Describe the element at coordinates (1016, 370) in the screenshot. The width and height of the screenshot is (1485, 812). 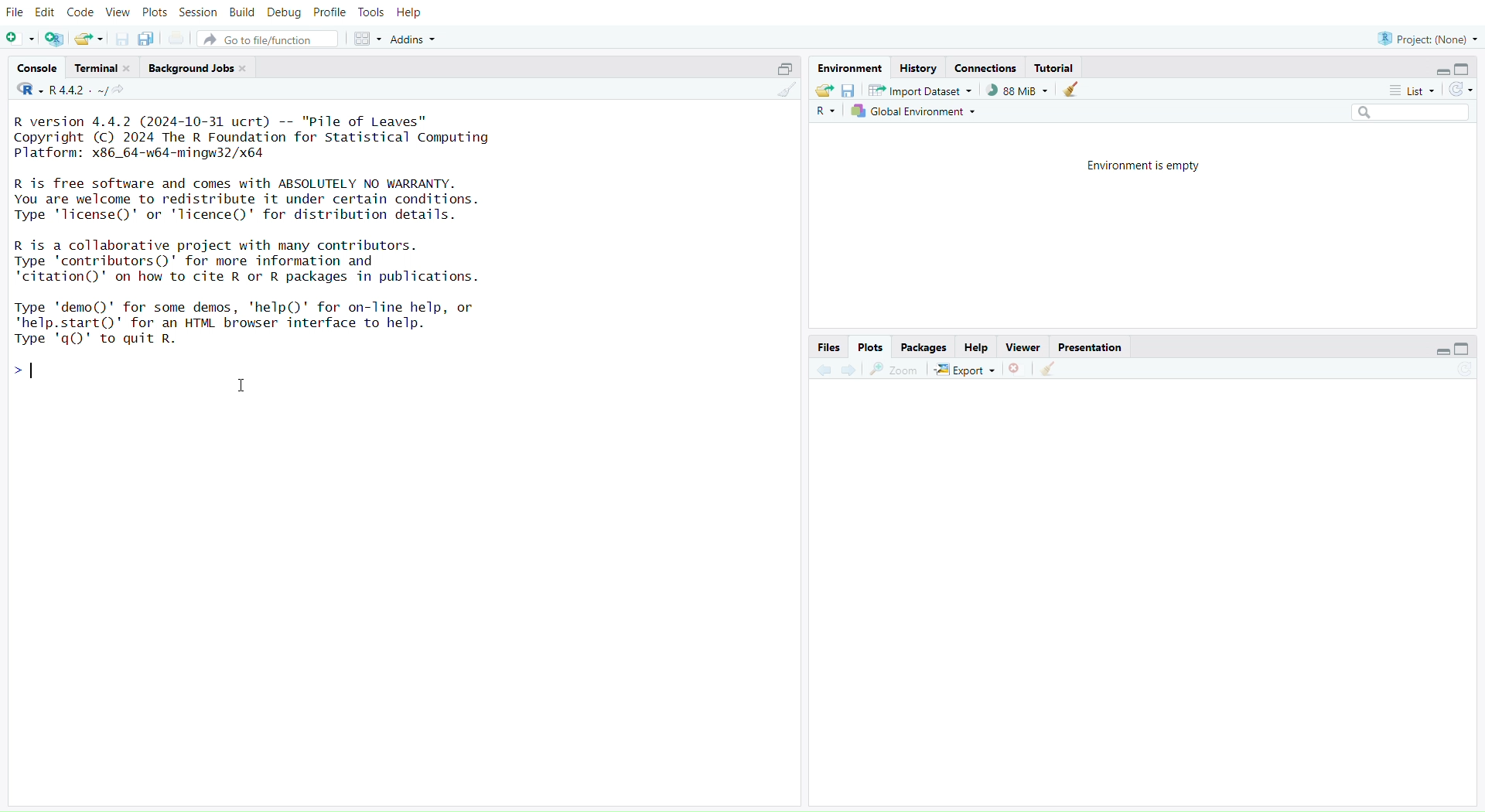
I see `remove the current plot` at that location.